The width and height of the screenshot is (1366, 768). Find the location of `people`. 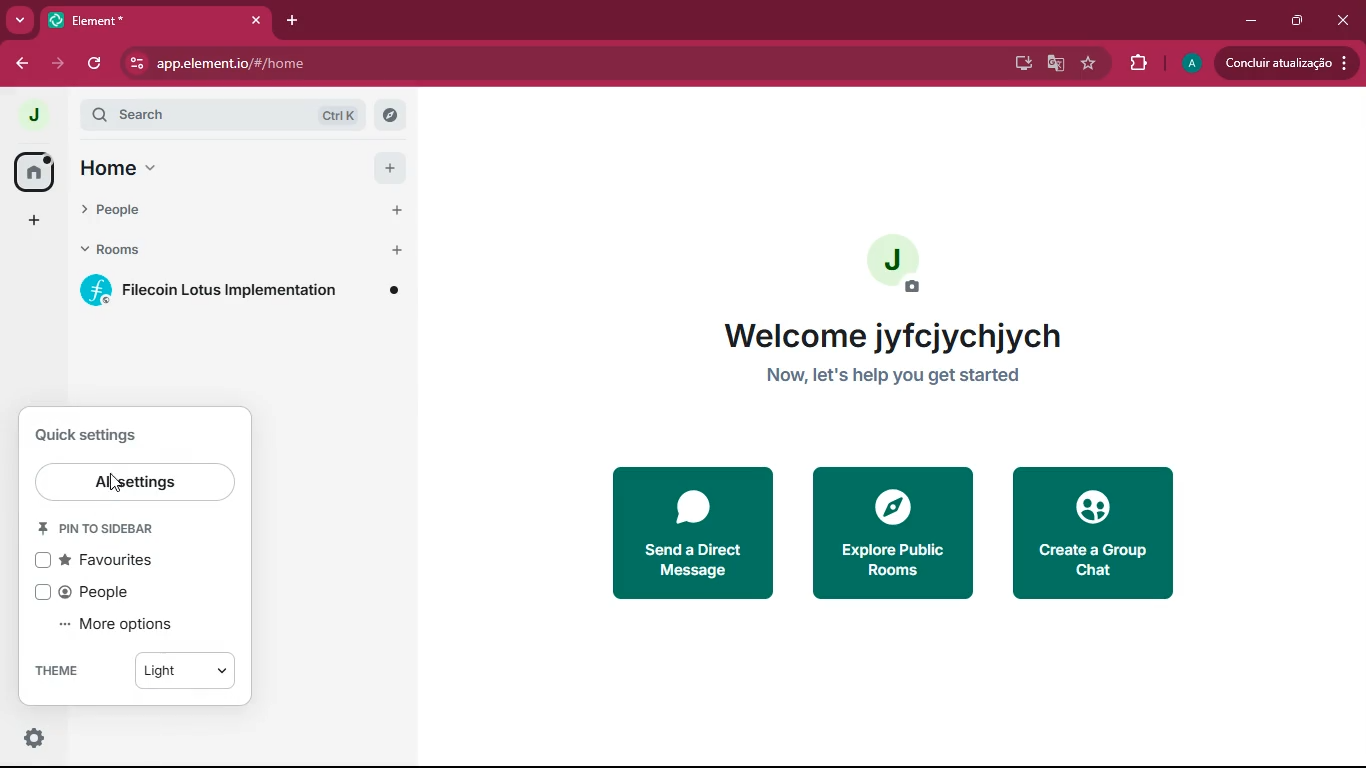

people is located at coordinates (191, 211).